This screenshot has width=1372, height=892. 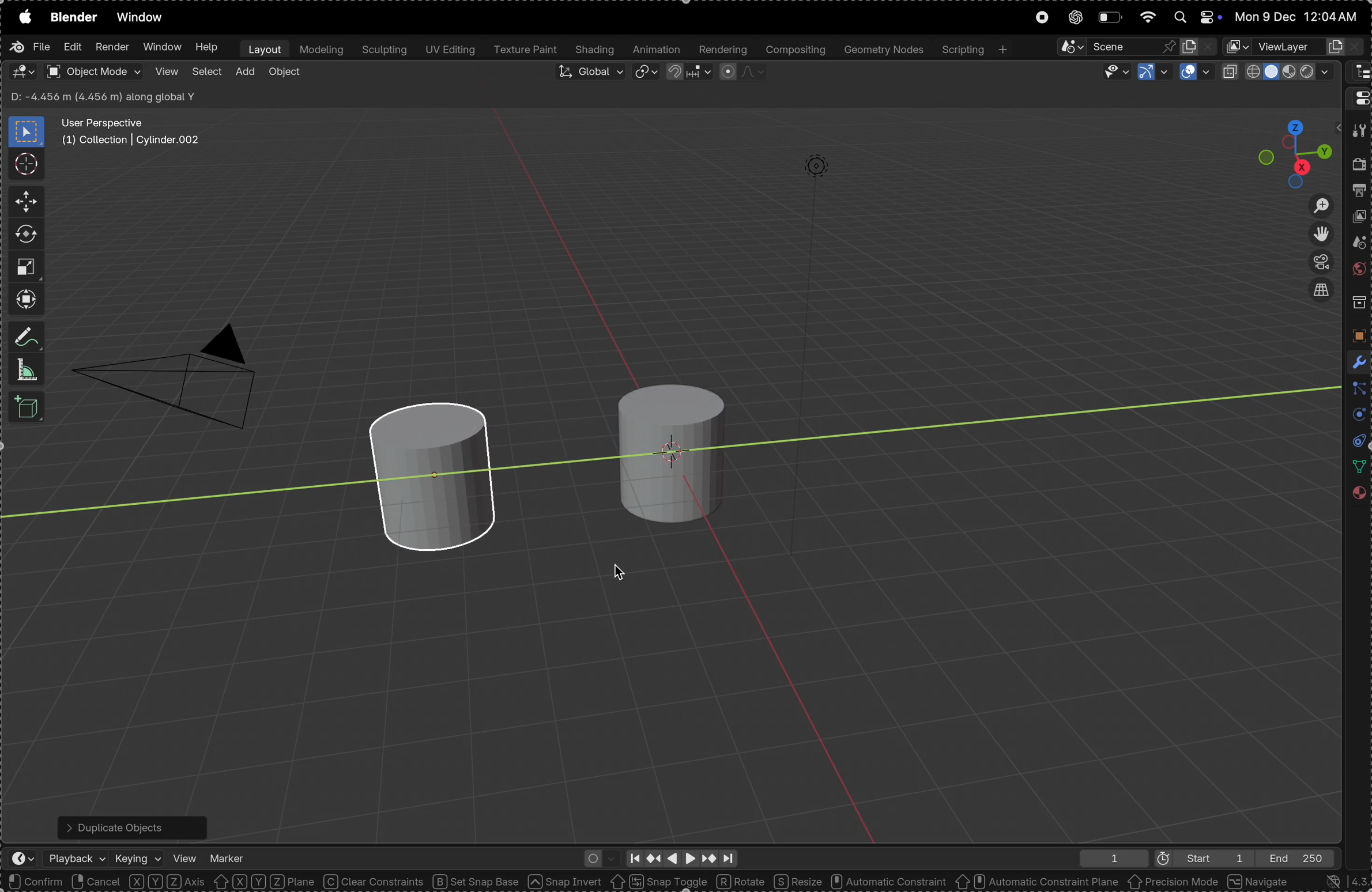 I want to click on marker, so click(x=228, y=855).